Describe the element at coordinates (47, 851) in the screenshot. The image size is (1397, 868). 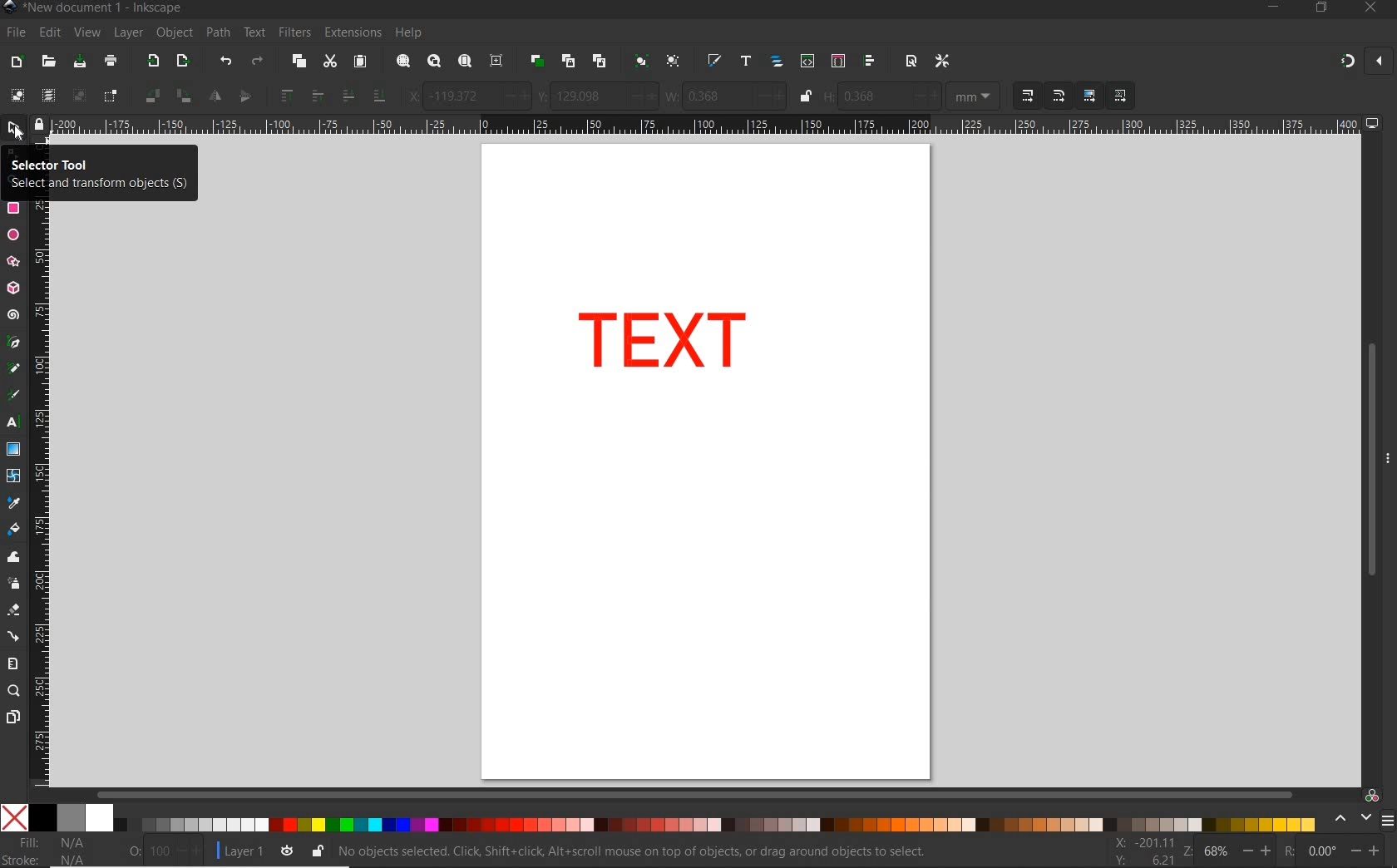
I see `FILE & STROKE` at that location.